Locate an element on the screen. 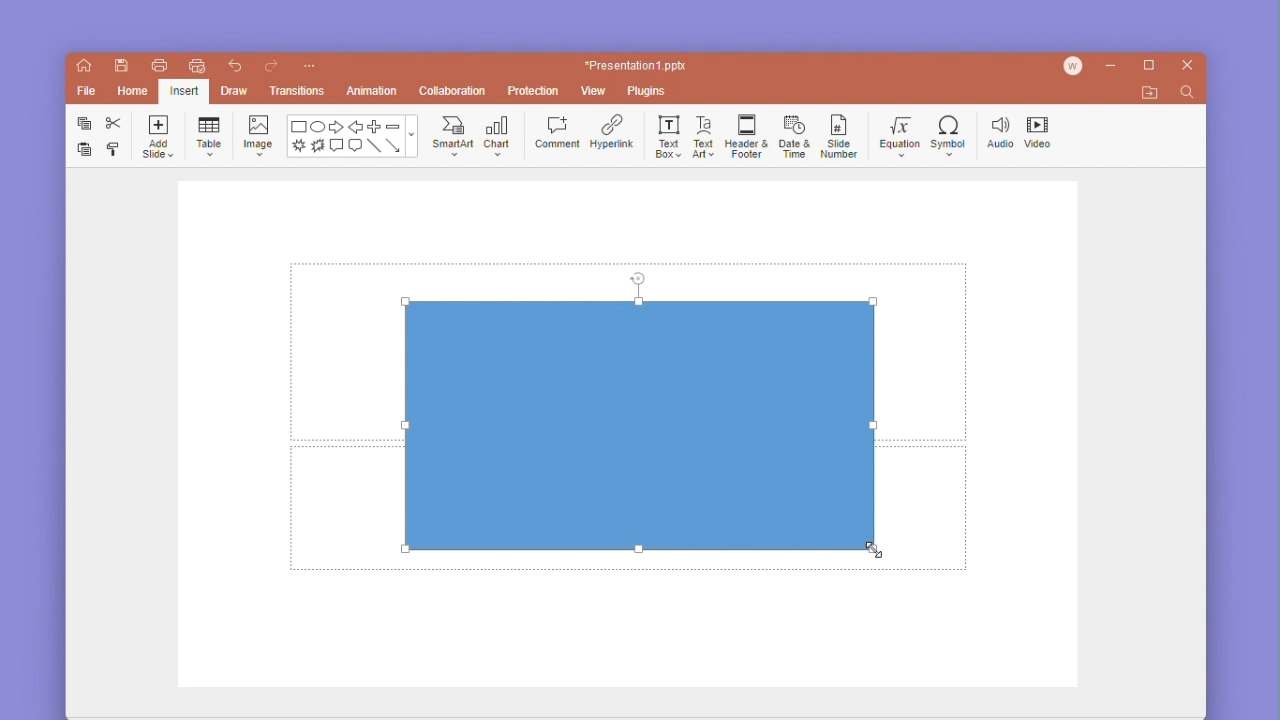 This screenshot has height=720, width=1280. draw is located at coordinates (235, 89).